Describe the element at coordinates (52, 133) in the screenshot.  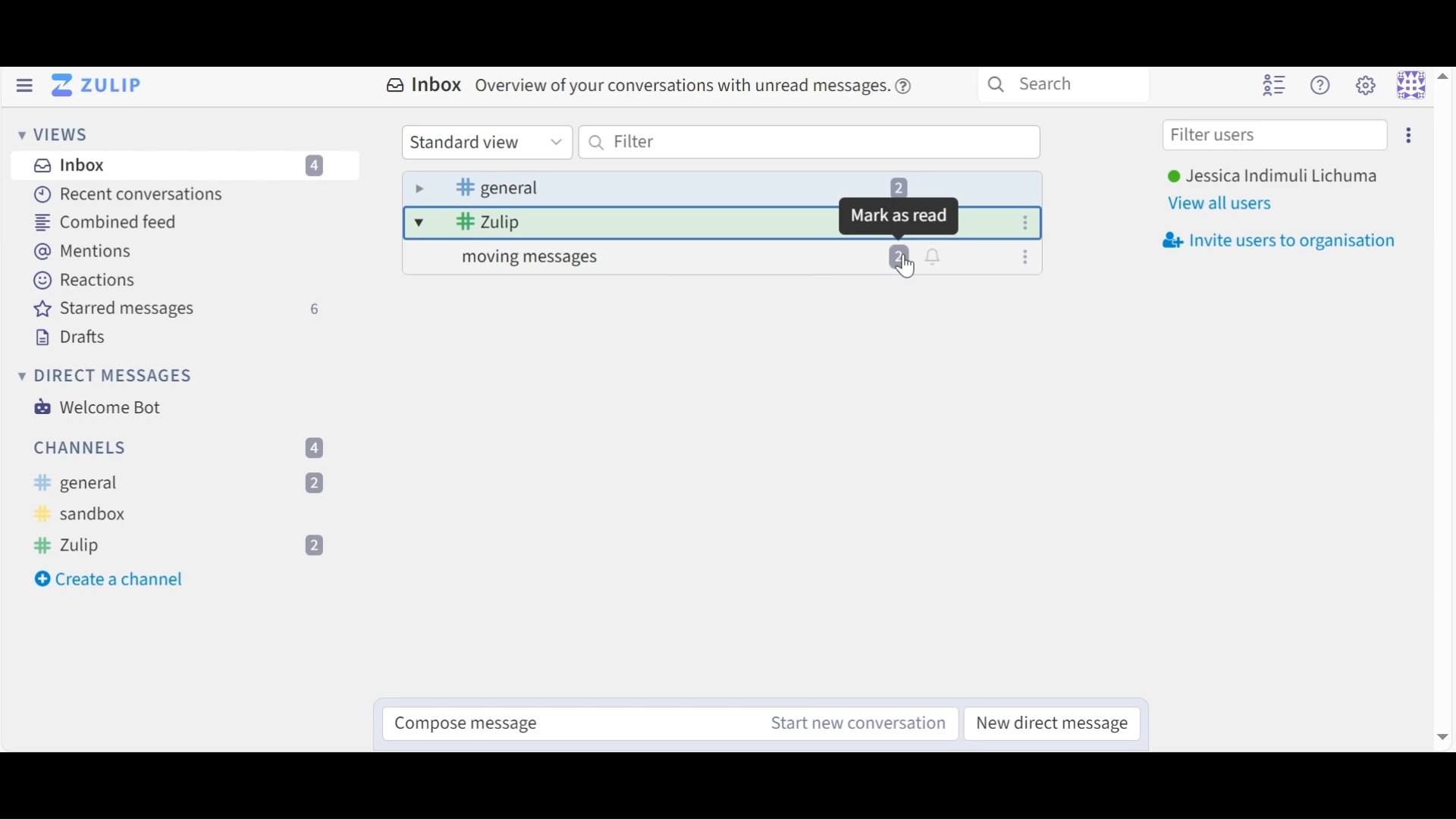
I see `Views` at that location.